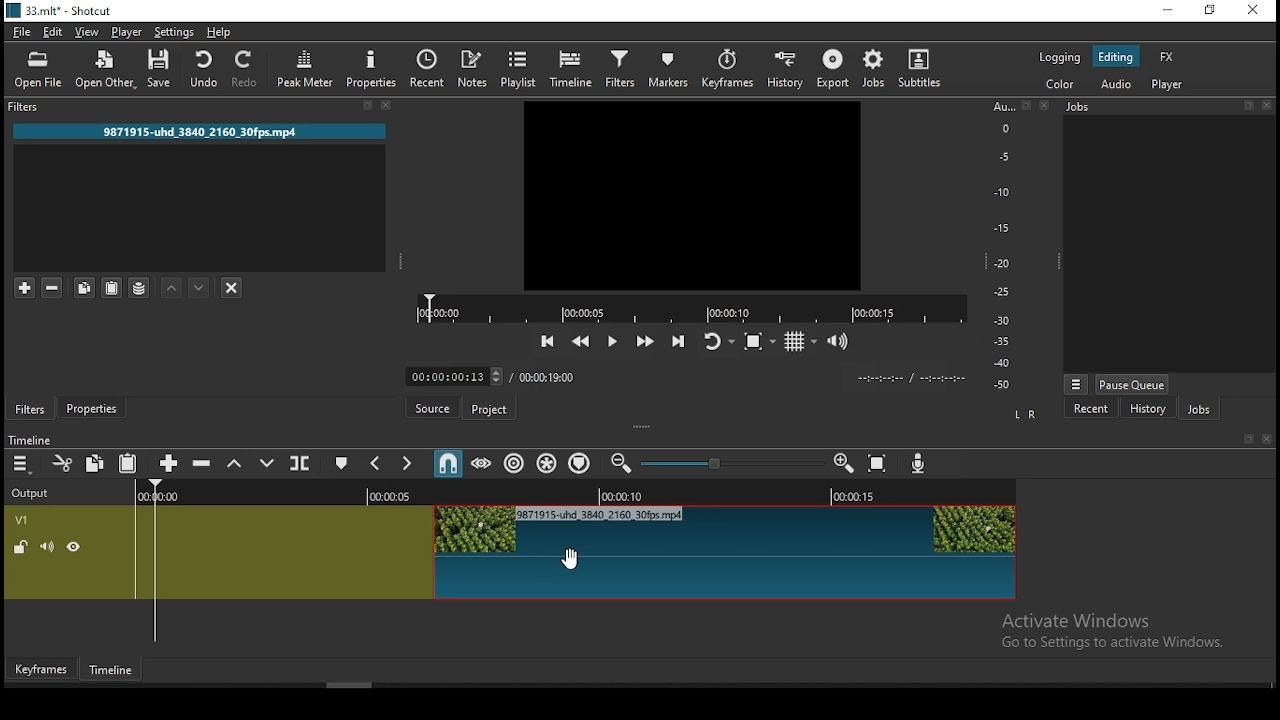 The image size is (1280, 720). Describe the element at coordinates (408, 465) in the screenshot. I see `next marker` at that location.